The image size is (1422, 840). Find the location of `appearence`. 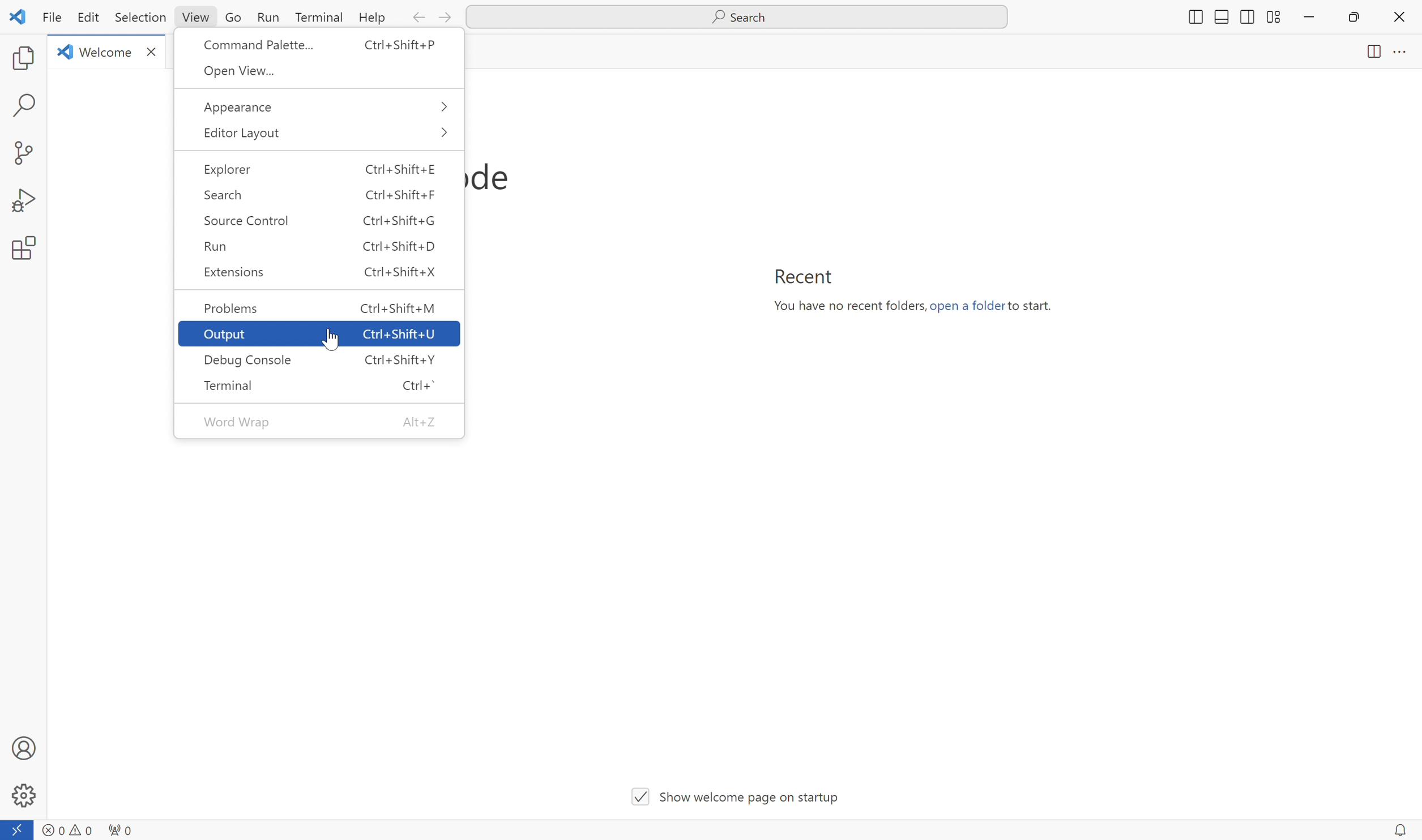

appearence is located at coordinates (321, 105).